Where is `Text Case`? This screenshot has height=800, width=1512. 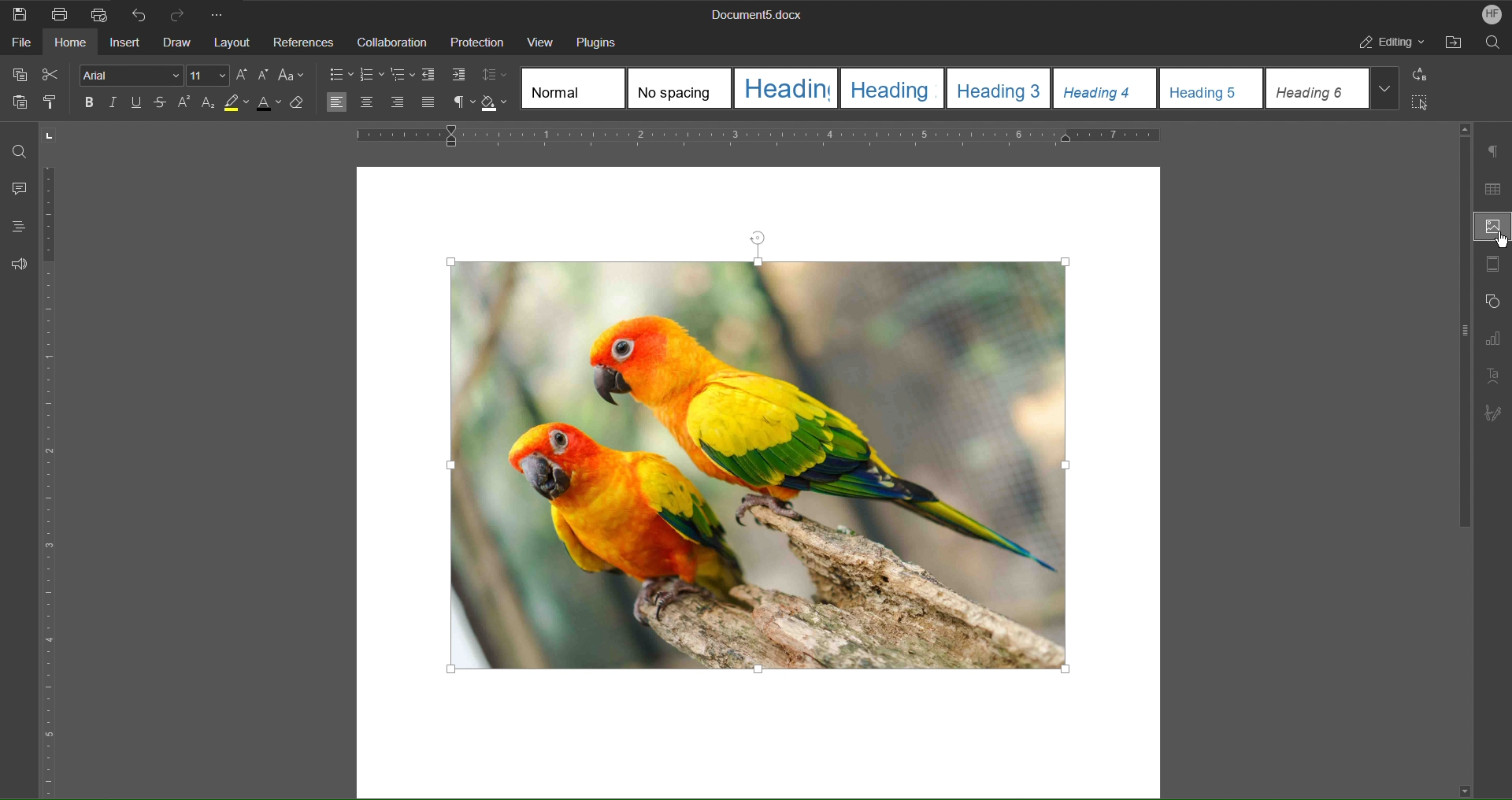 Text Case is located at coordinates (294, 76).